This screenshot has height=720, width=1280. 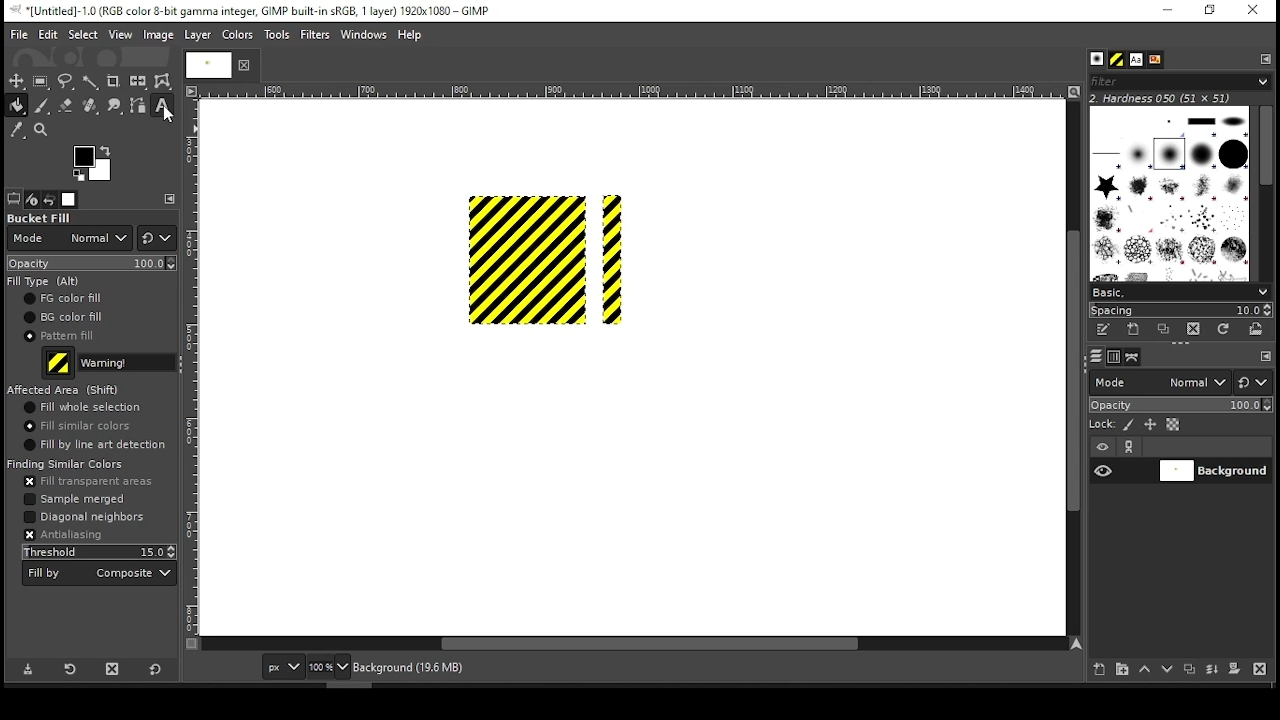 What do you see at coordinates (30, 668) in the screenshot?
I see `save tool preset` at bounding box center [30, 668].